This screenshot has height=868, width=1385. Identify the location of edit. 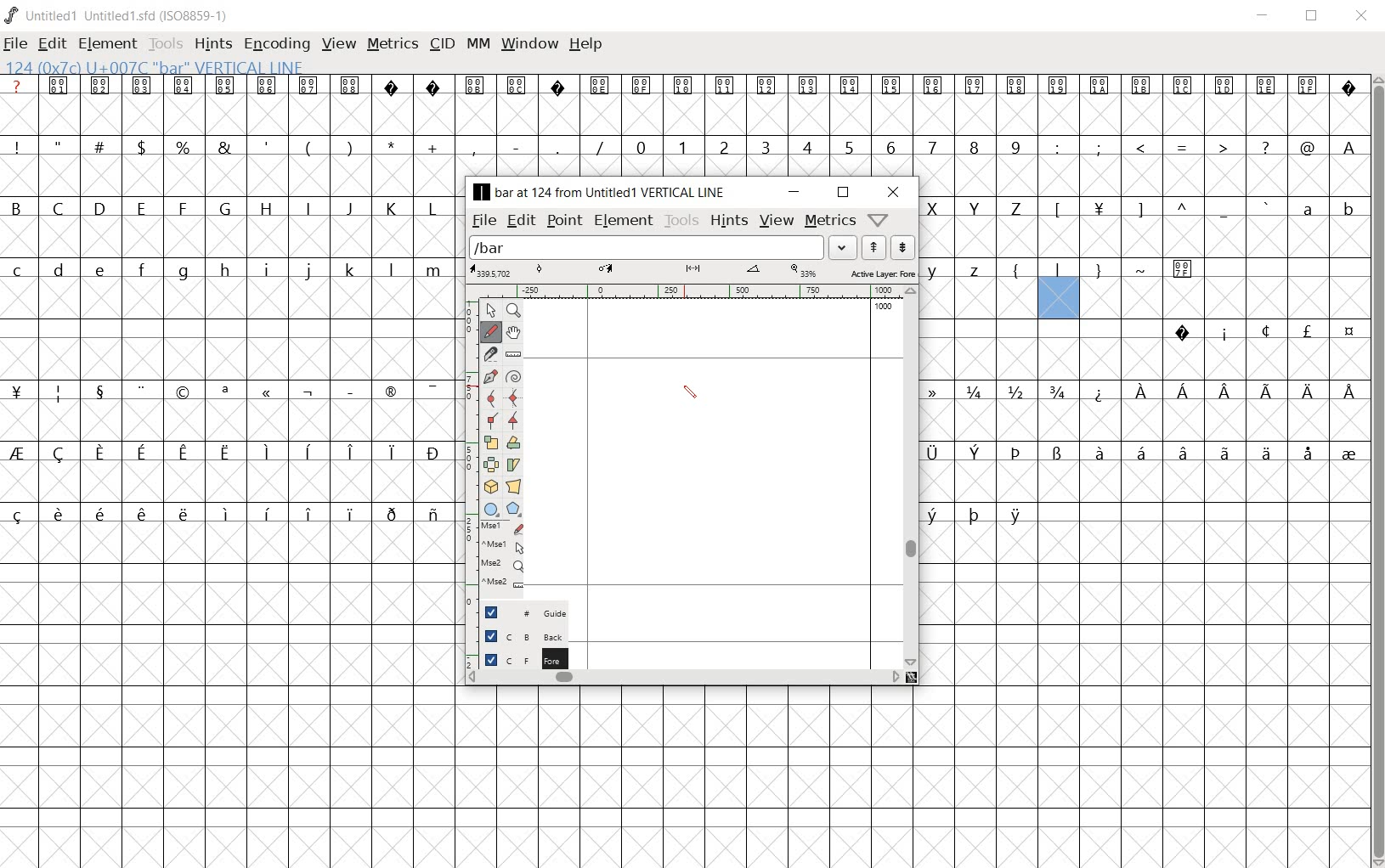
(519, 221).